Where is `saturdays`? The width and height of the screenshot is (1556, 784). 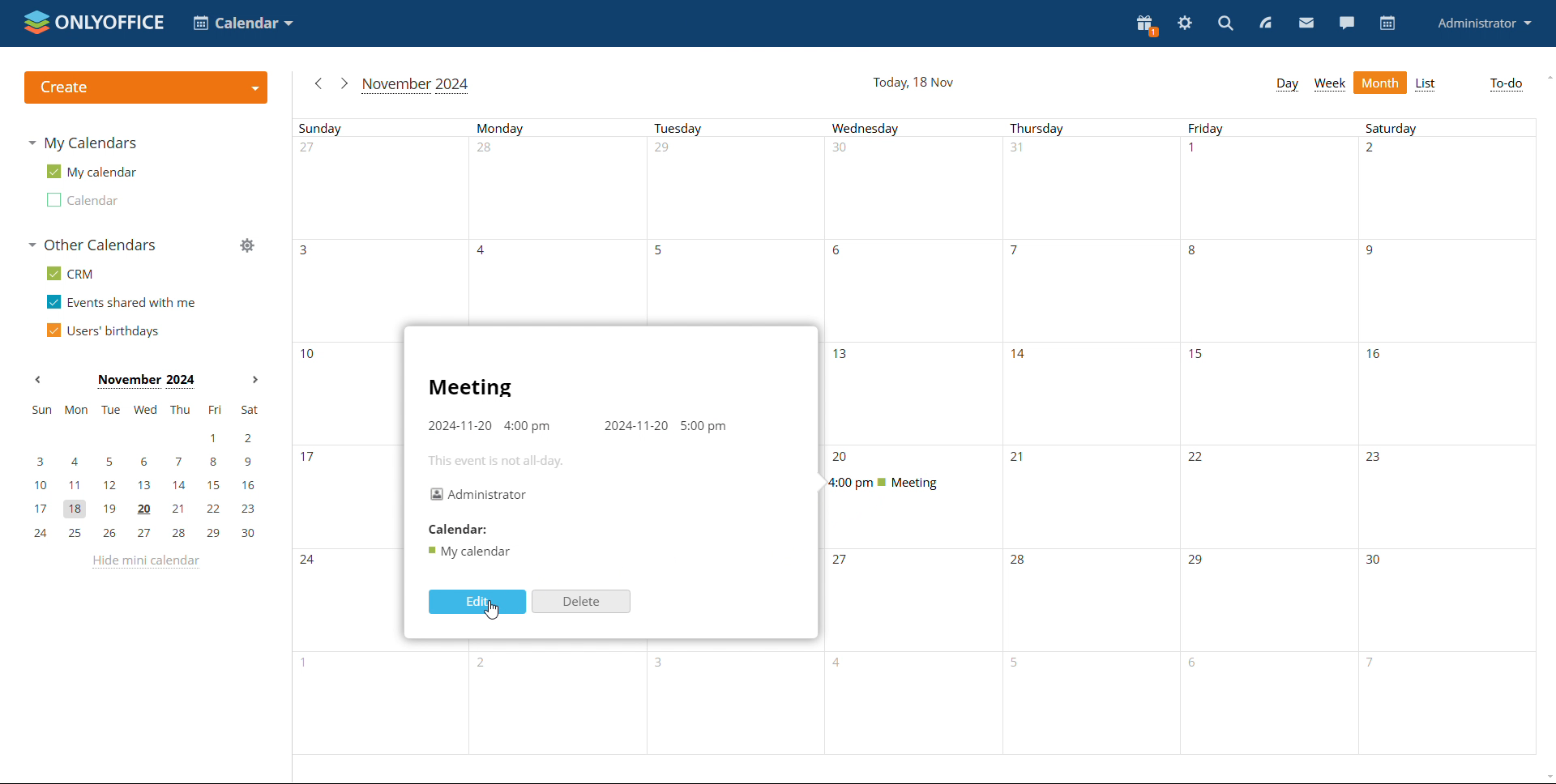 saturdays is located at coordinates (1447, 436).